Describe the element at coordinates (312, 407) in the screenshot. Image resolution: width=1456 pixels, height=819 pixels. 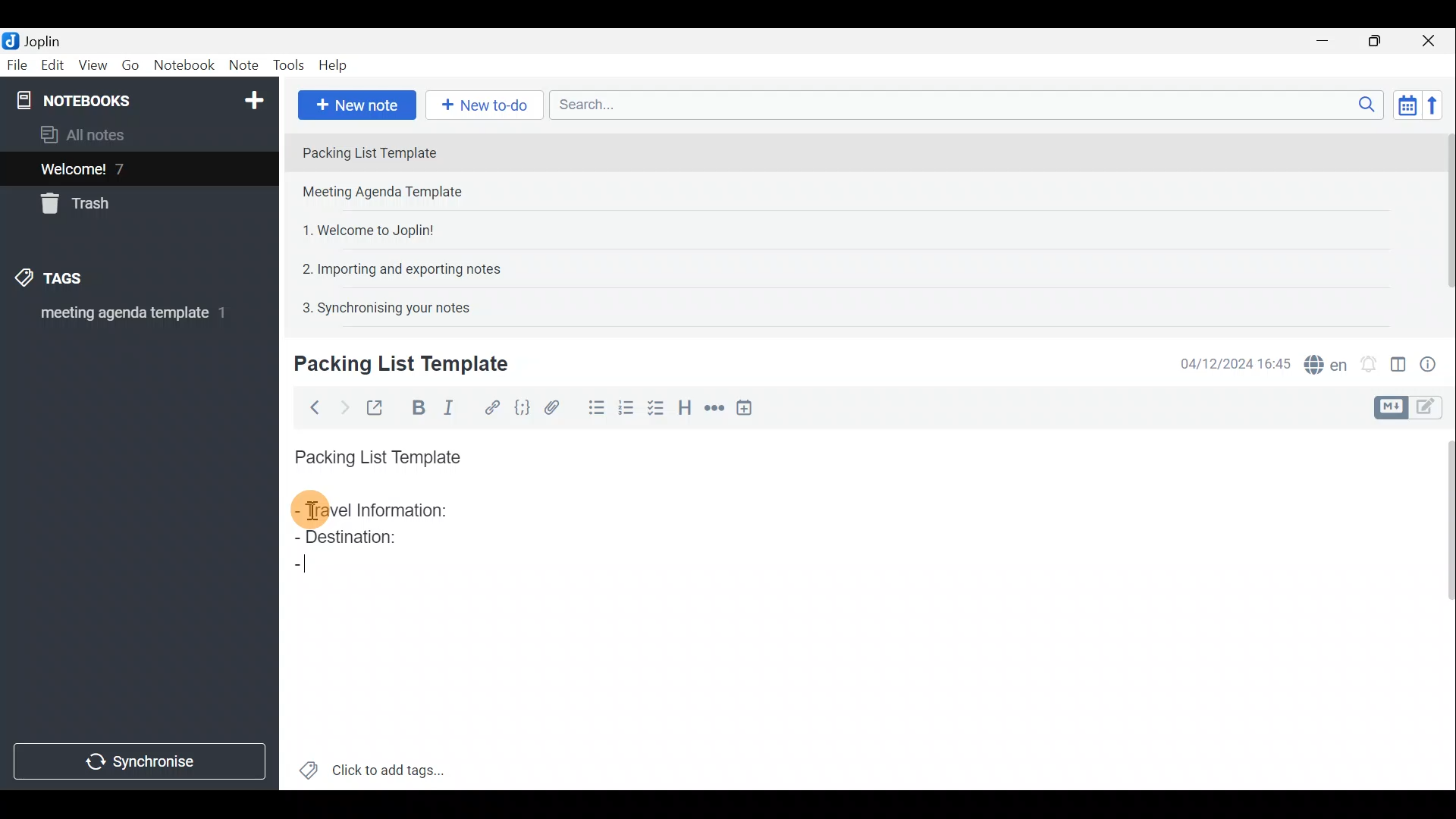
I see `Back` at that location.